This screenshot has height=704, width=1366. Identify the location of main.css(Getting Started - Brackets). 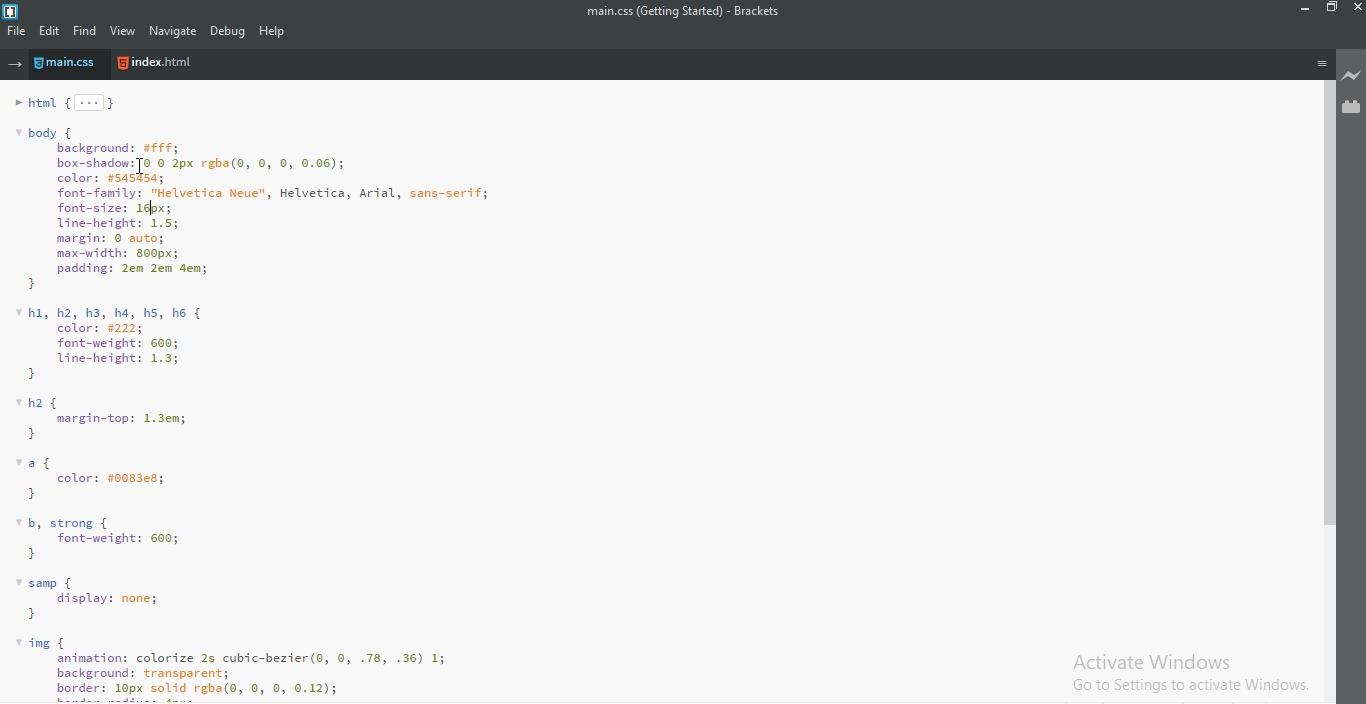
(682, 12).